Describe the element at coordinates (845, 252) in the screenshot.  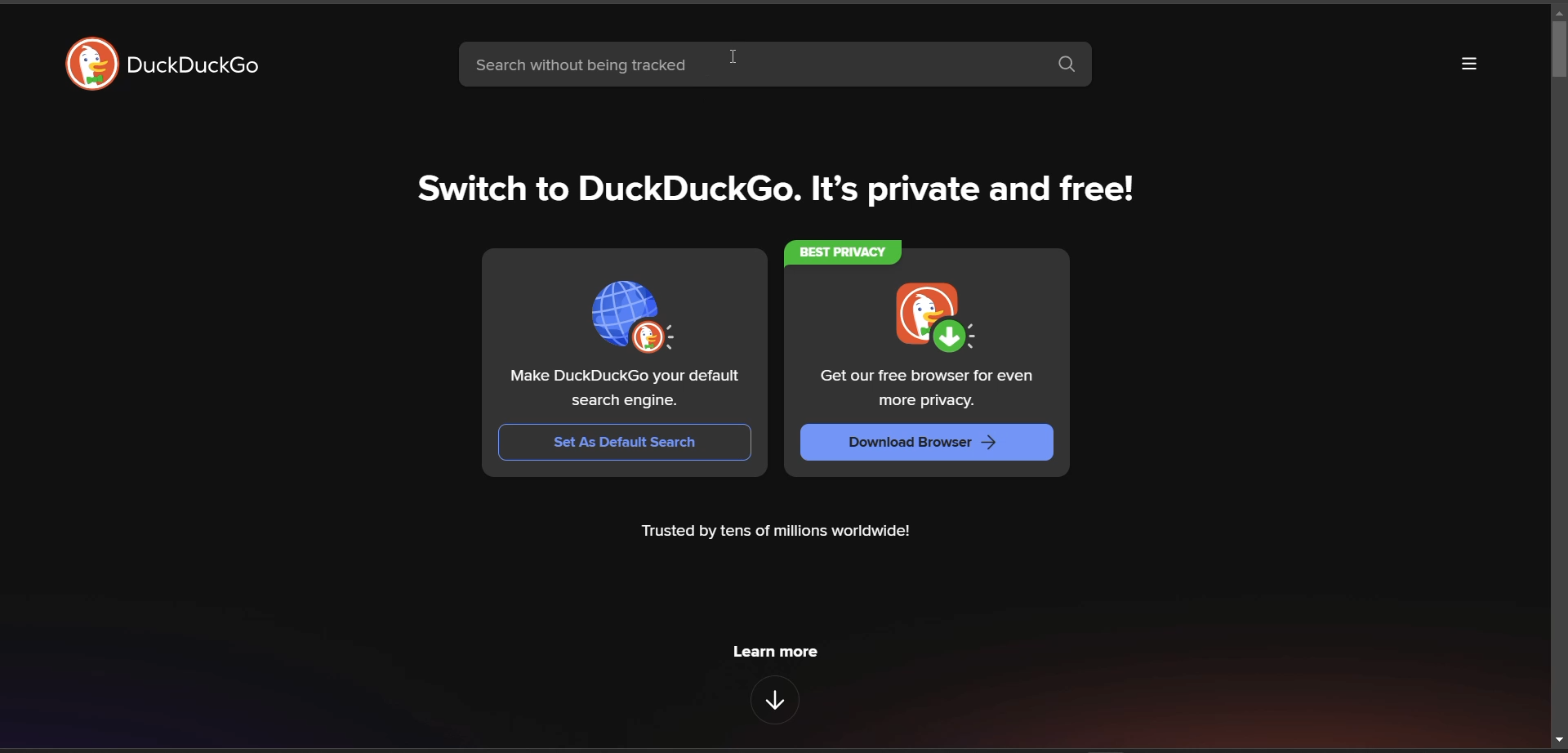
I see `BEST PRIVACY` at that location.